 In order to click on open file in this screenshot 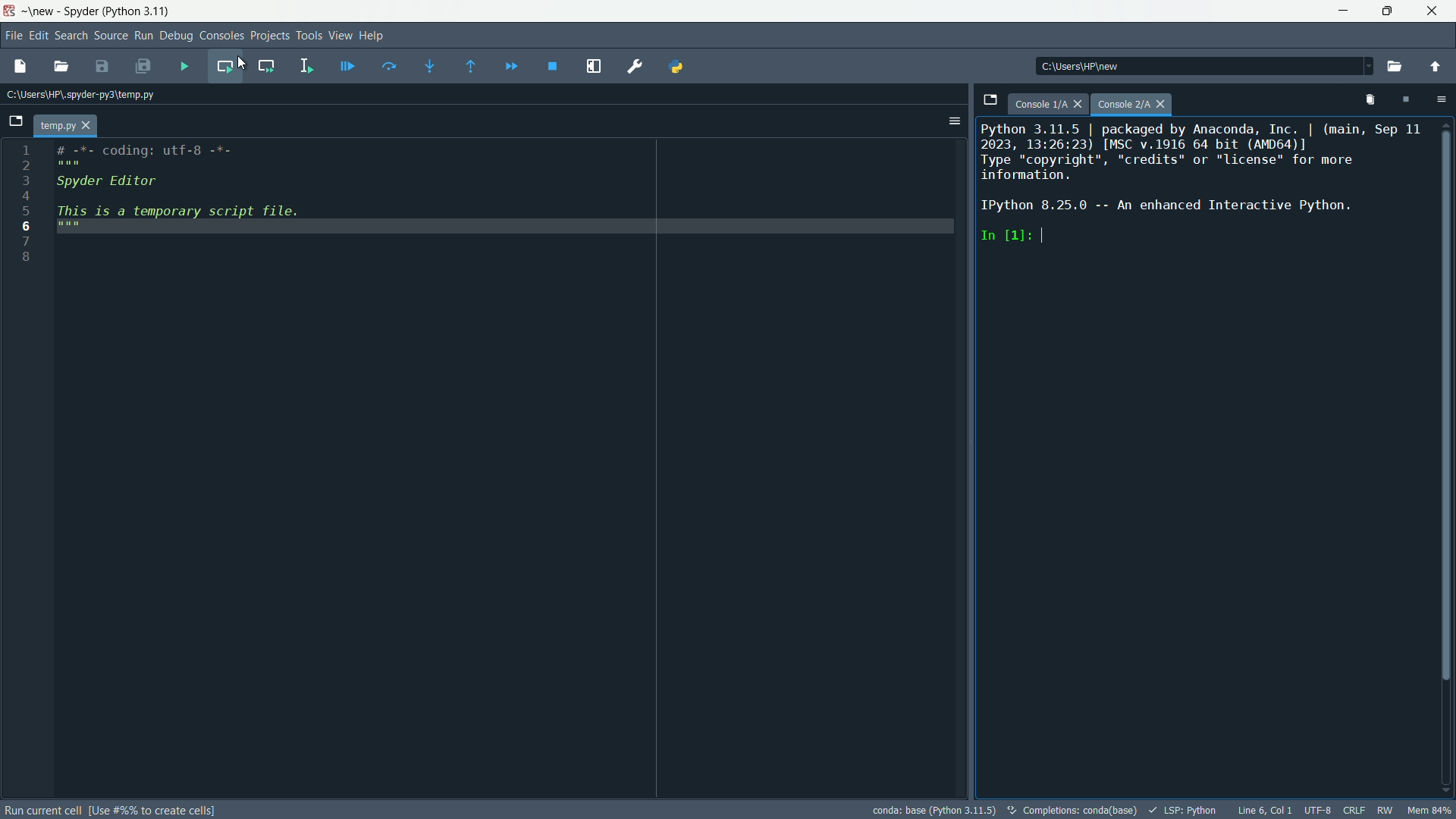, I will do `click(61, 67)`.